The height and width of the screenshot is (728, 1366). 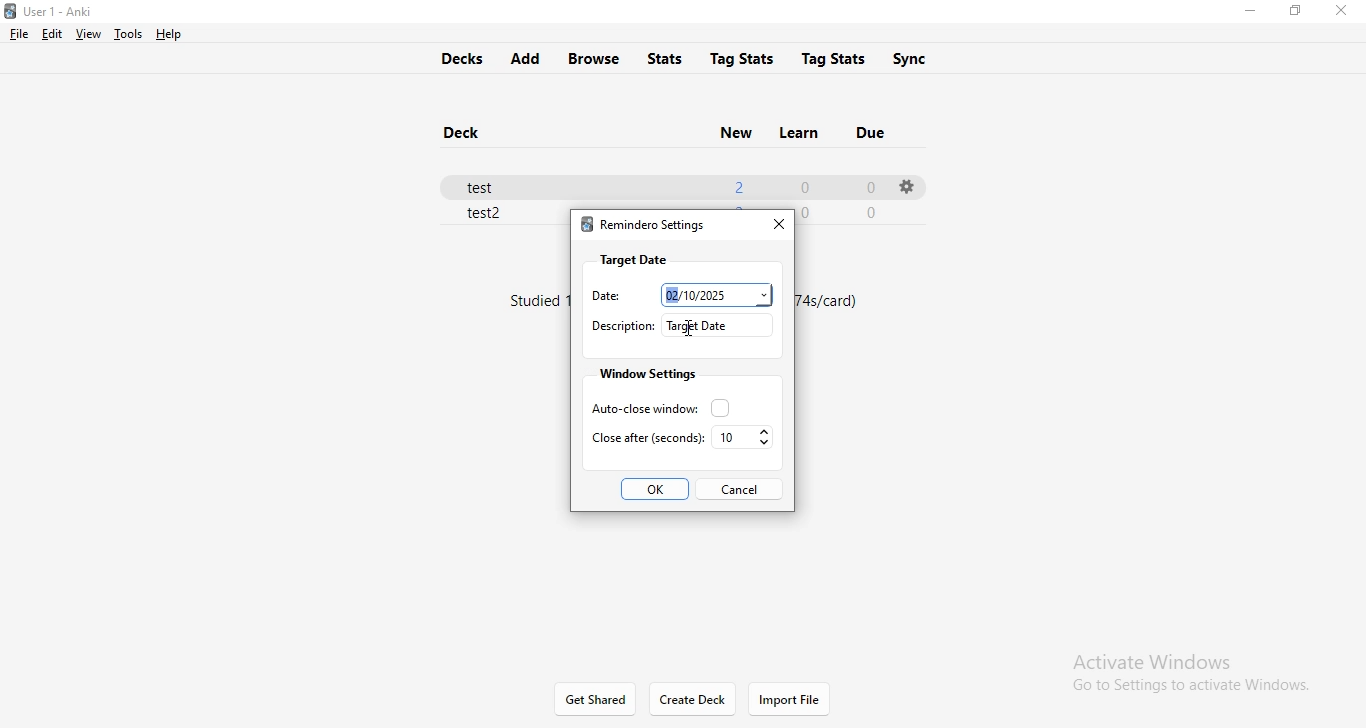 I want to click on date, so click(x=601, y=296).